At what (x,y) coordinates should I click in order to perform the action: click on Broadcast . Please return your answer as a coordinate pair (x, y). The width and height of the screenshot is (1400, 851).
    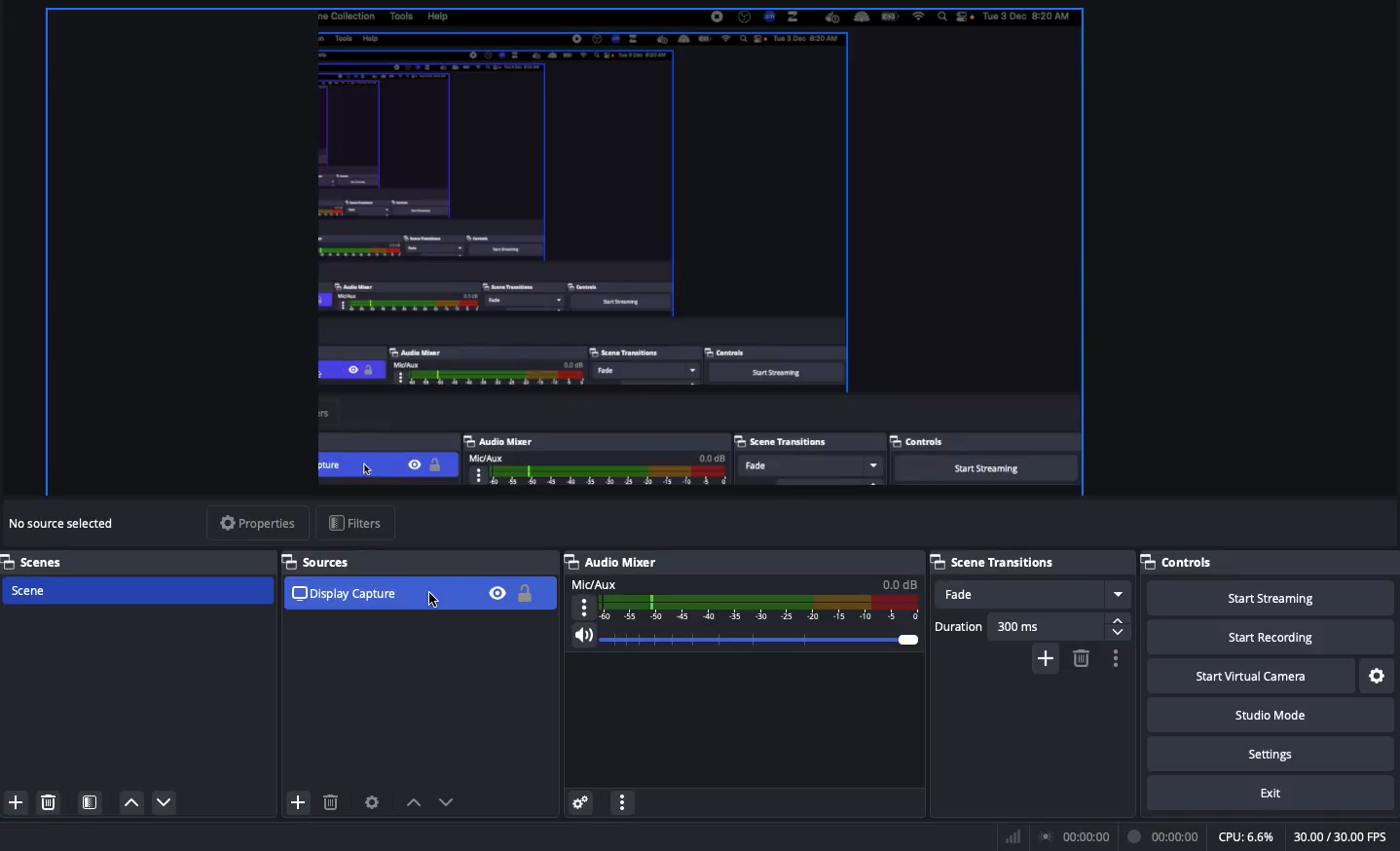
    Looking at the image, I should click on (1075, 836).